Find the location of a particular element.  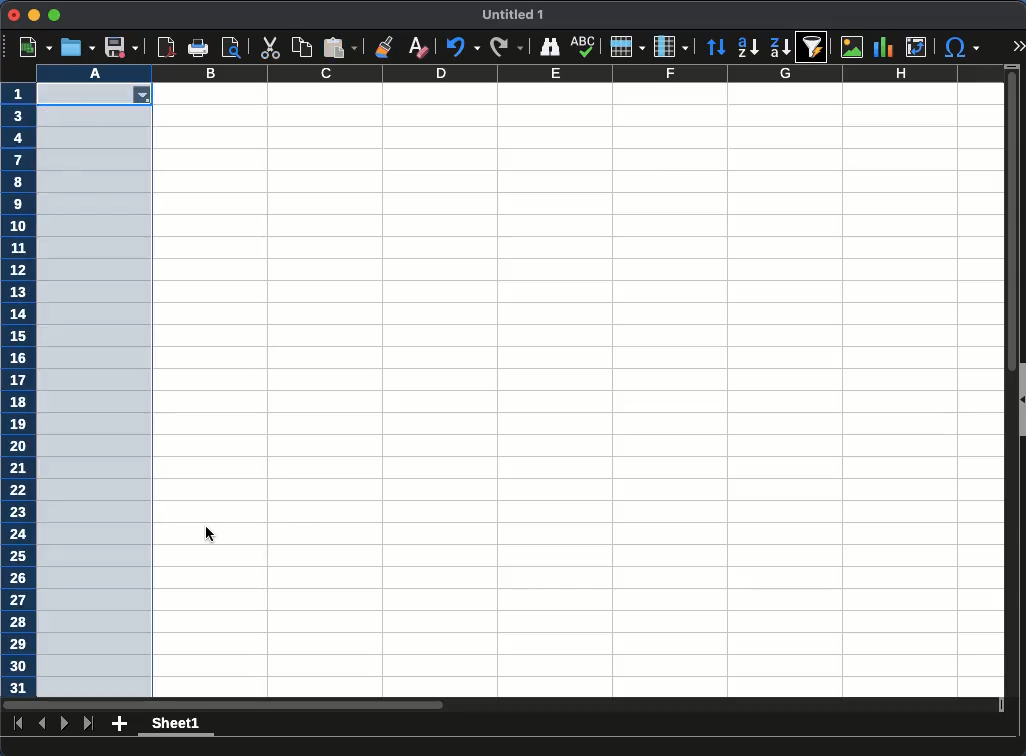

close is located at coordinates (14, 15).